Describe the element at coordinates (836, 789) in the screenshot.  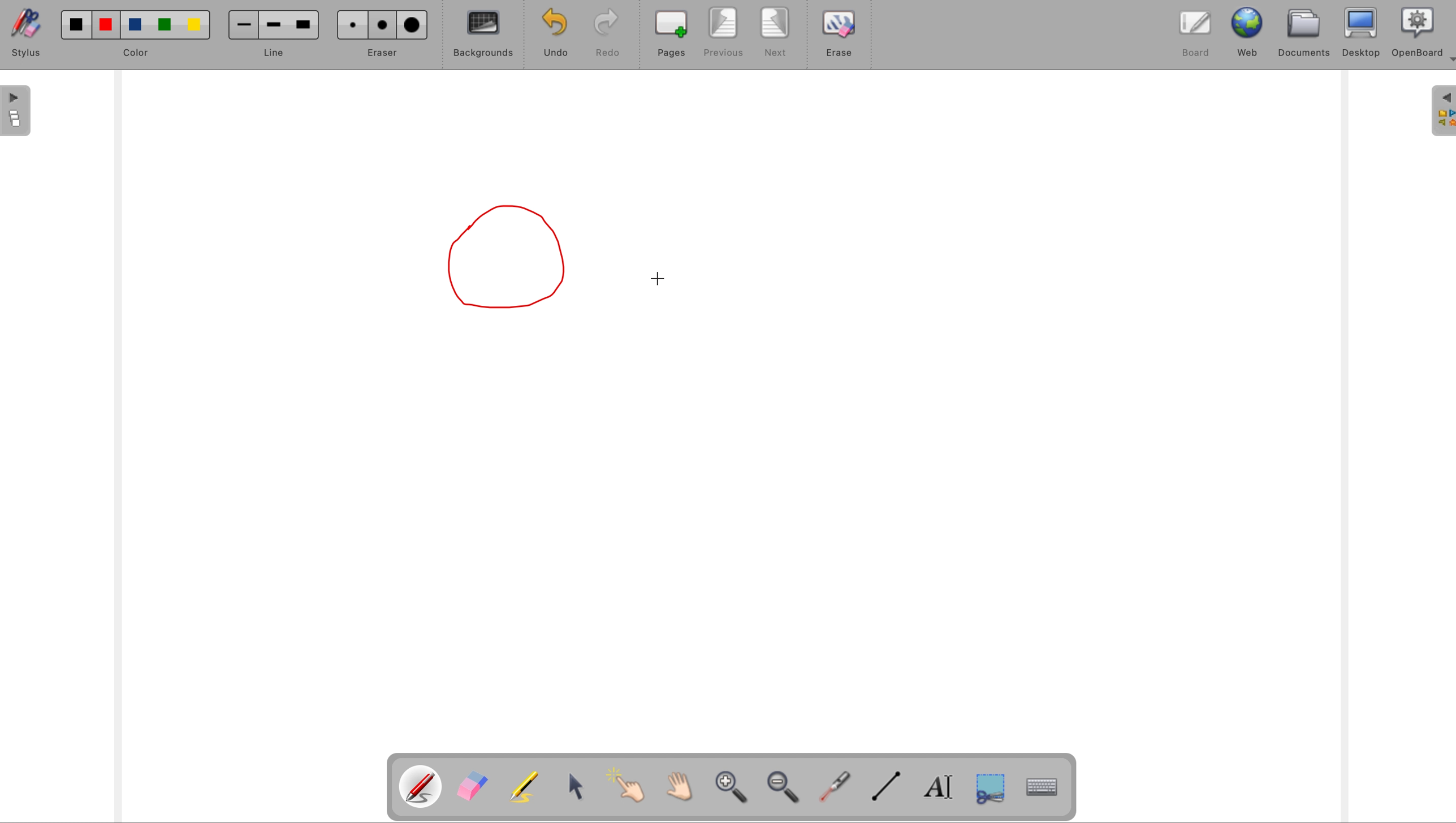
I see `visual laser pointer` at that location.